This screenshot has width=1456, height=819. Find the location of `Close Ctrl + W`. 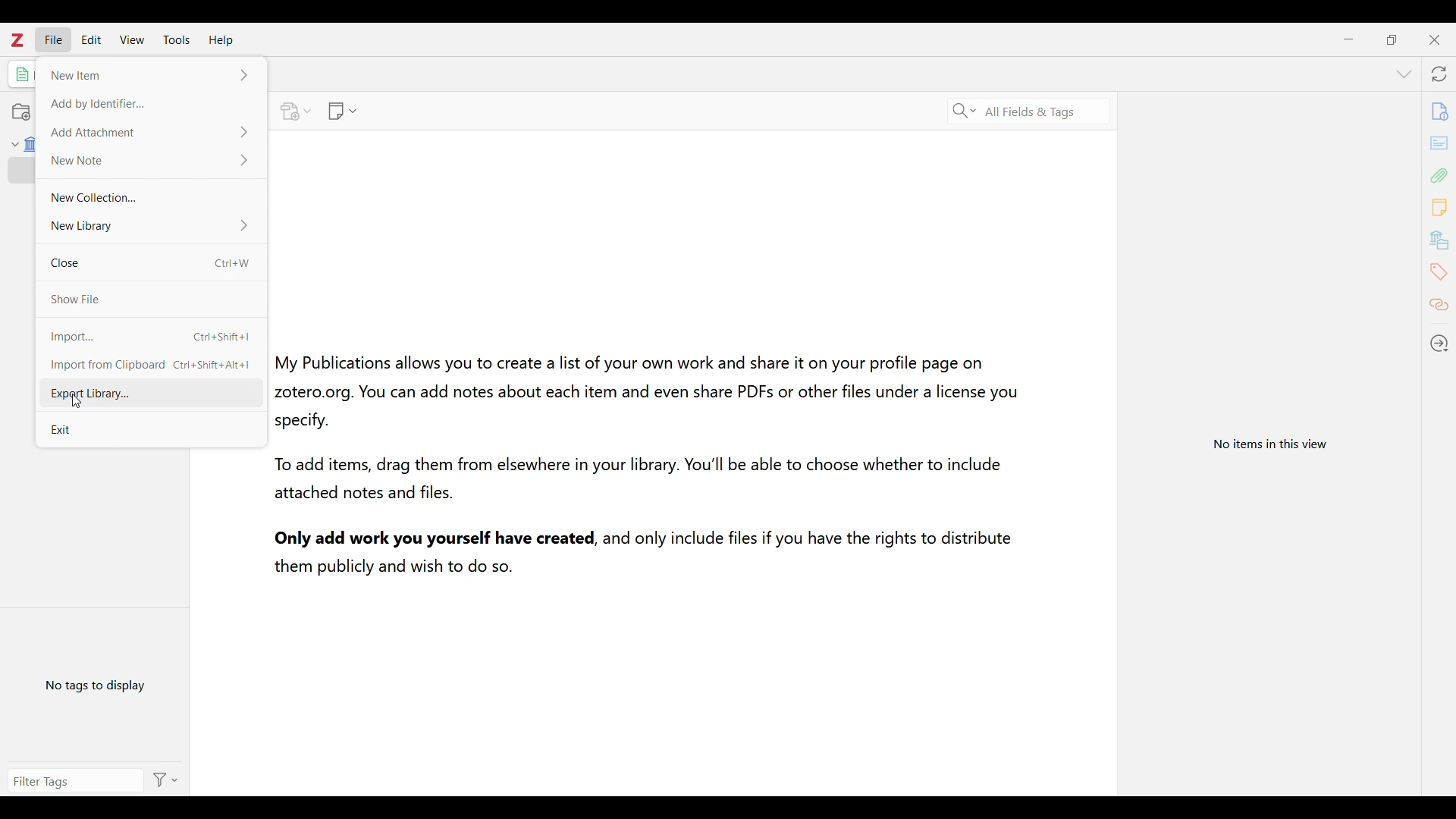

Close Ctrl + W is located at coordinates (152, 257).